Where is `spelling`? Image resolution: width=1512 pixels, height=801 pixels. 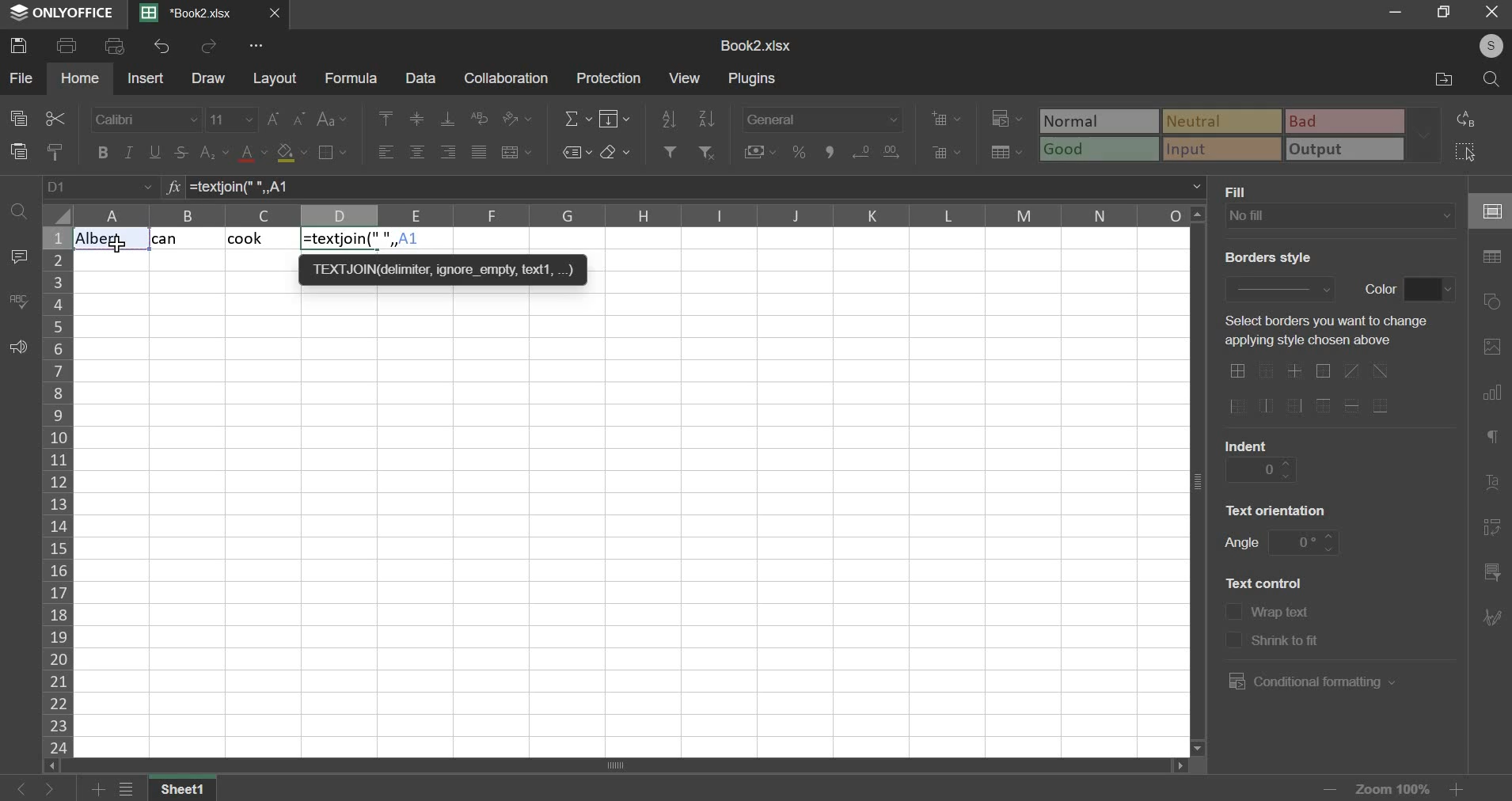 spelling is located at coordinates (18, 301).